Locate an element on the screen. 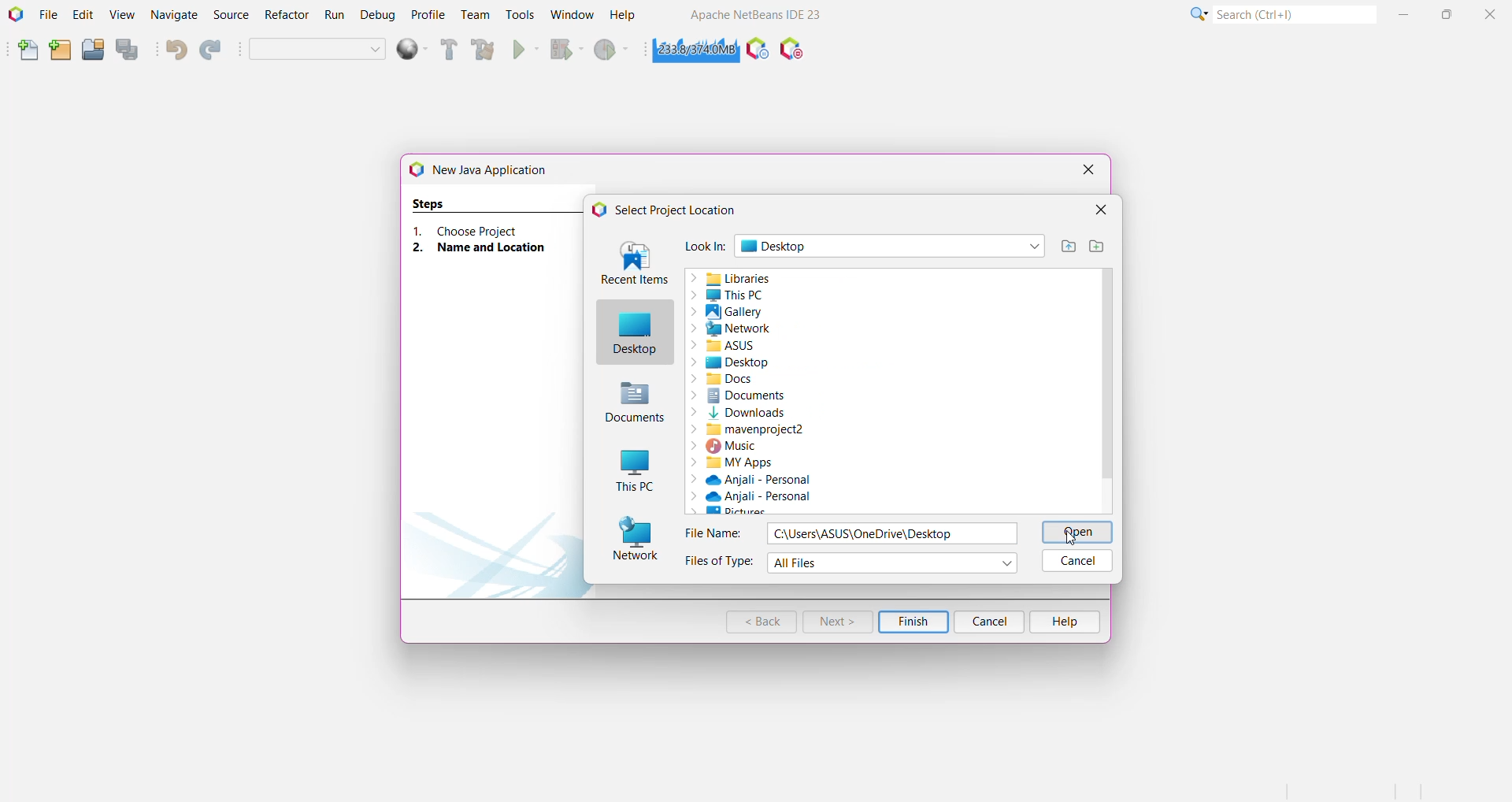 The height and width of the screenshot is (802, 1512). Run Project is located at coordinates (525, 50).